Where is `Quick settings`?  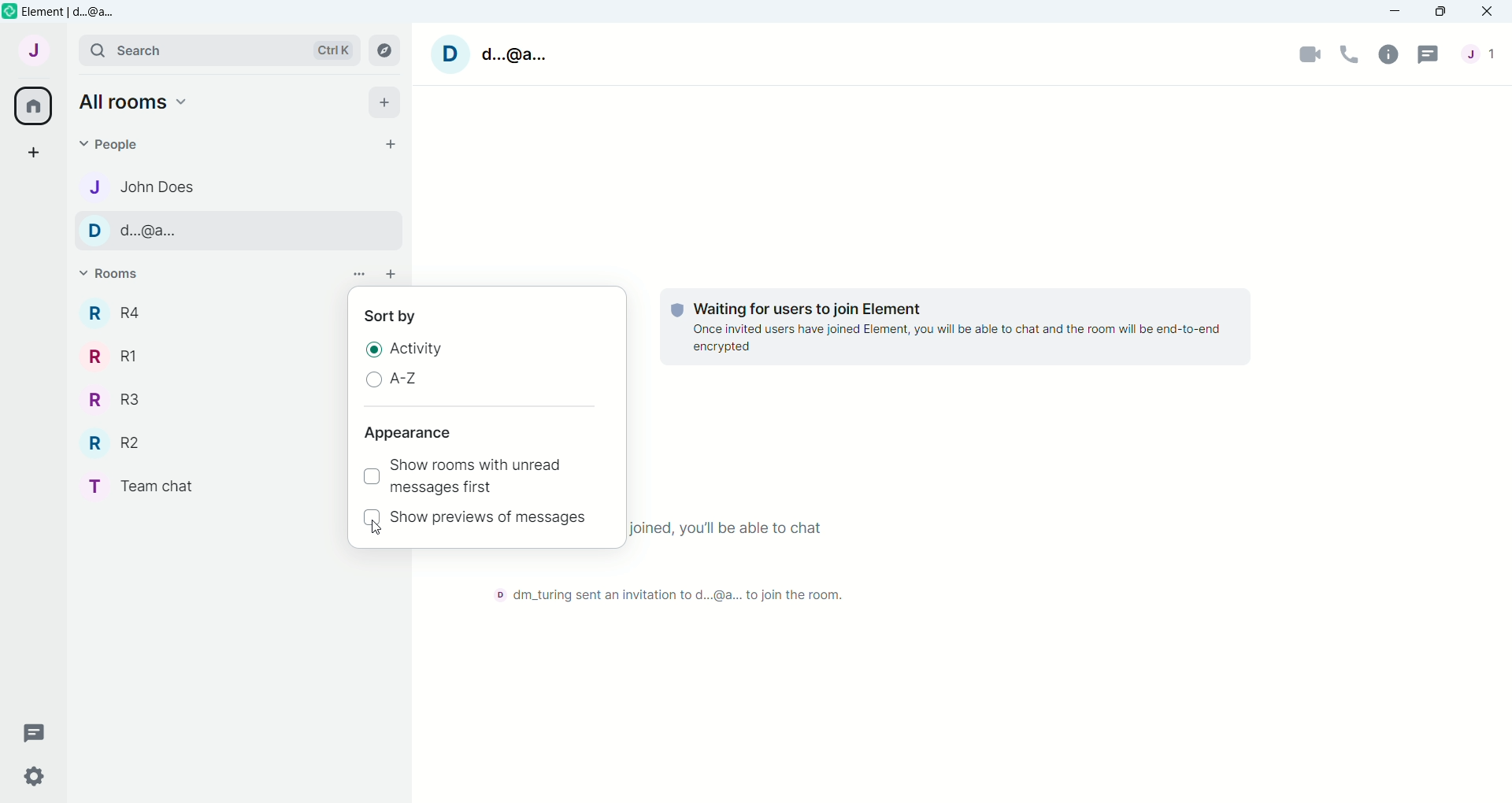 Quick settings is located at coordinates (24, 776).